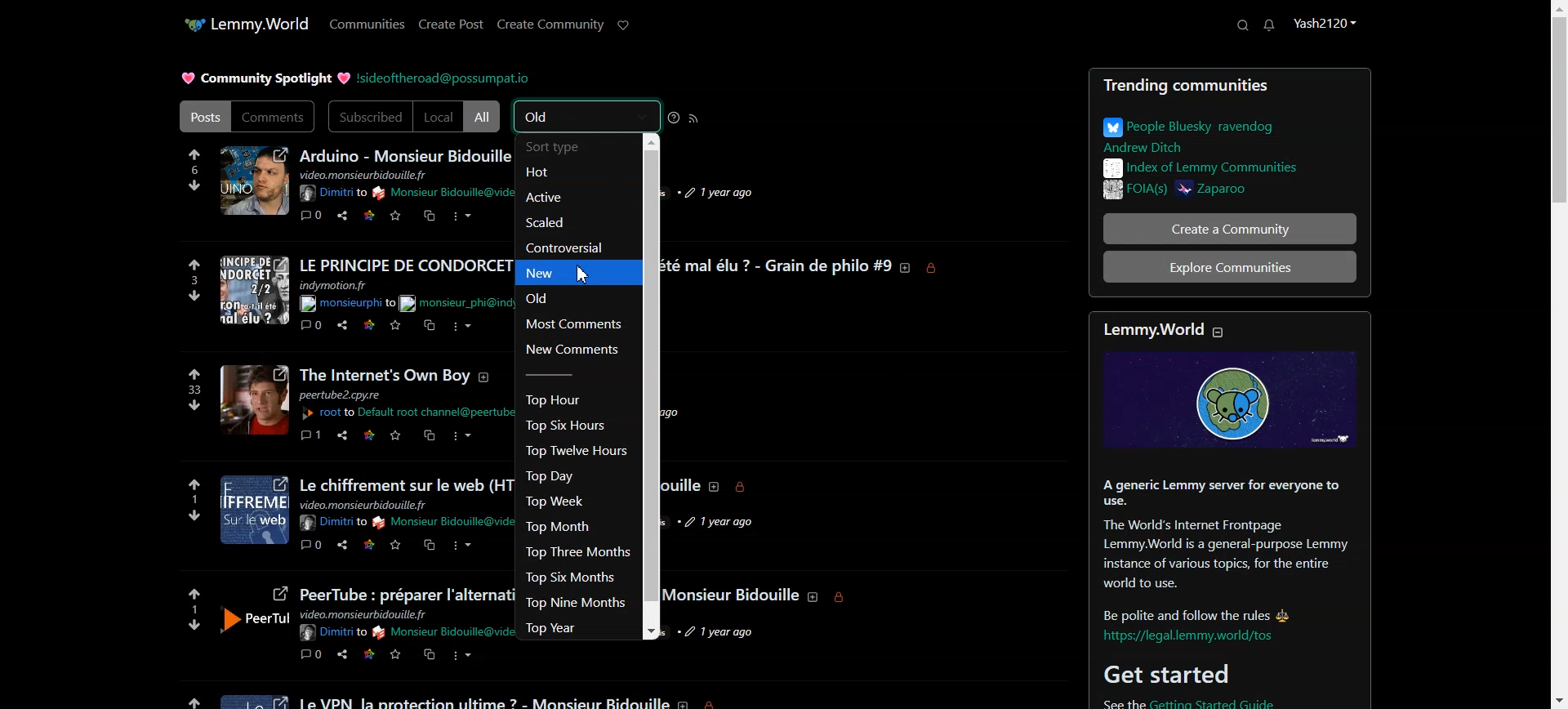 The image size is (1568, 709). What do you see at coordinates (256, 511) in the screenshot?
I see `` at bounding box center [256, 511].